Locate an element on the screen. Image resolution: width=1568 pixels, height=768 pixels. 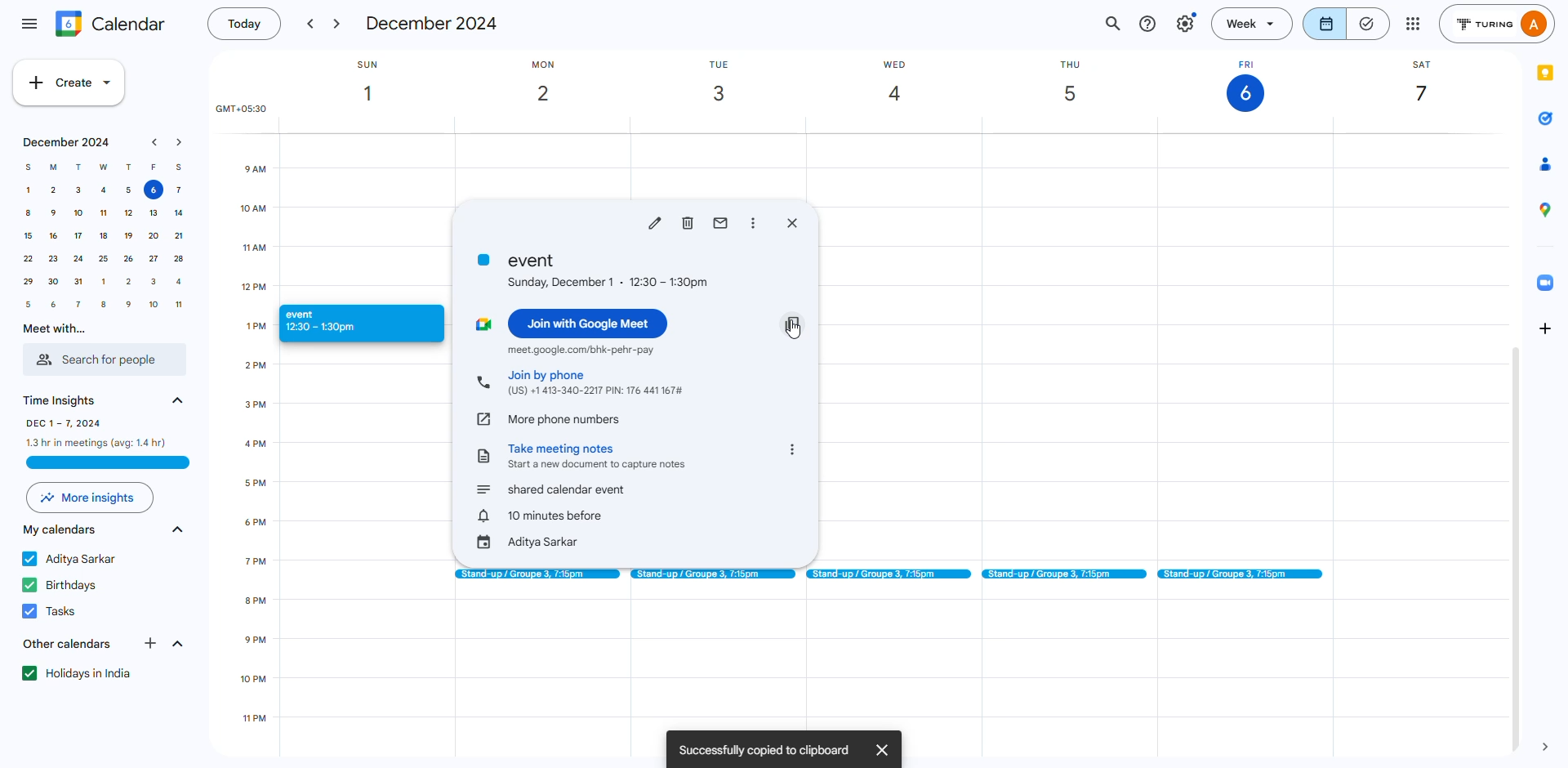
? is located at coordinates (1148, 25).